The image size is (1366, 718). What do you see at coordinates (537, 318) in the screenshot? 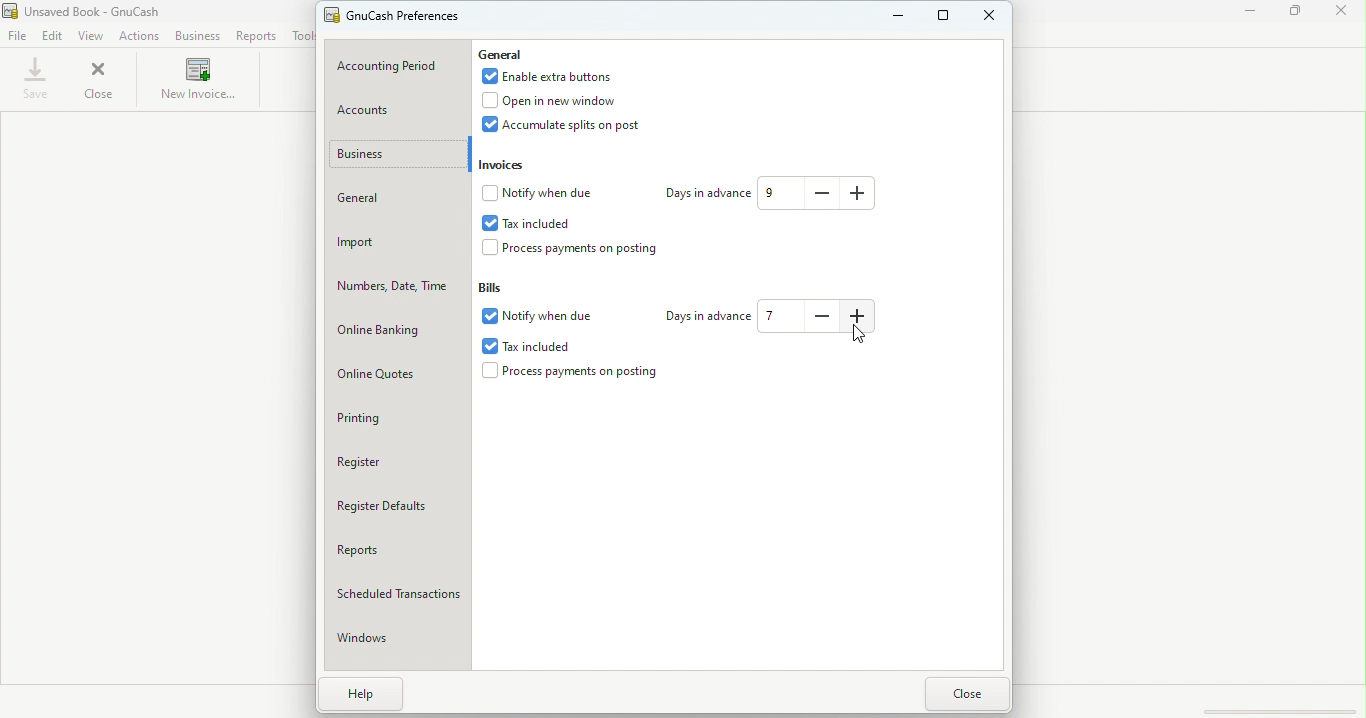
I see `Notify when due` at bounding box center [537, 318].